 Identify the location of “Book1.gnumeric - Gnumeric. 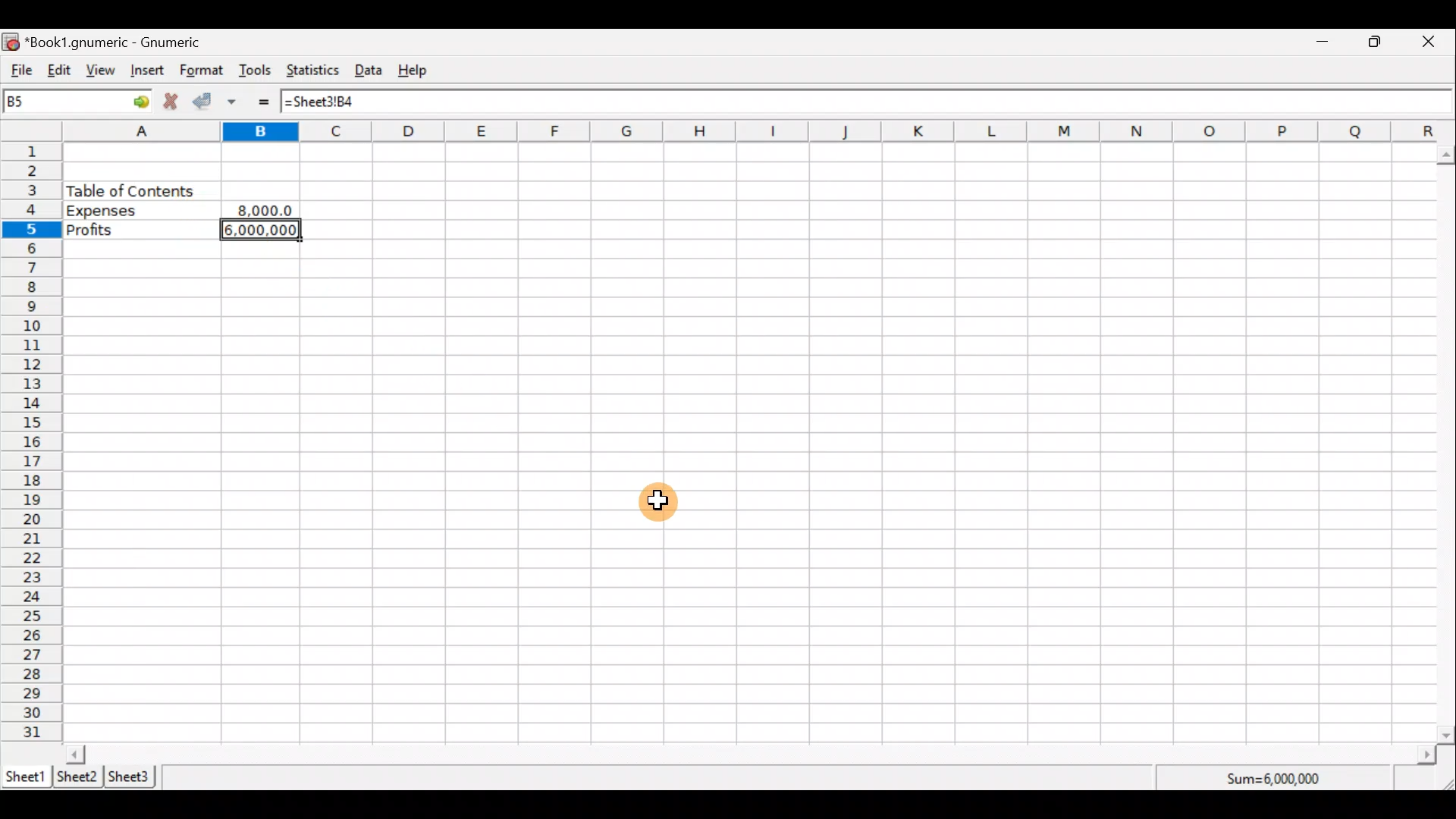
(121, 42).